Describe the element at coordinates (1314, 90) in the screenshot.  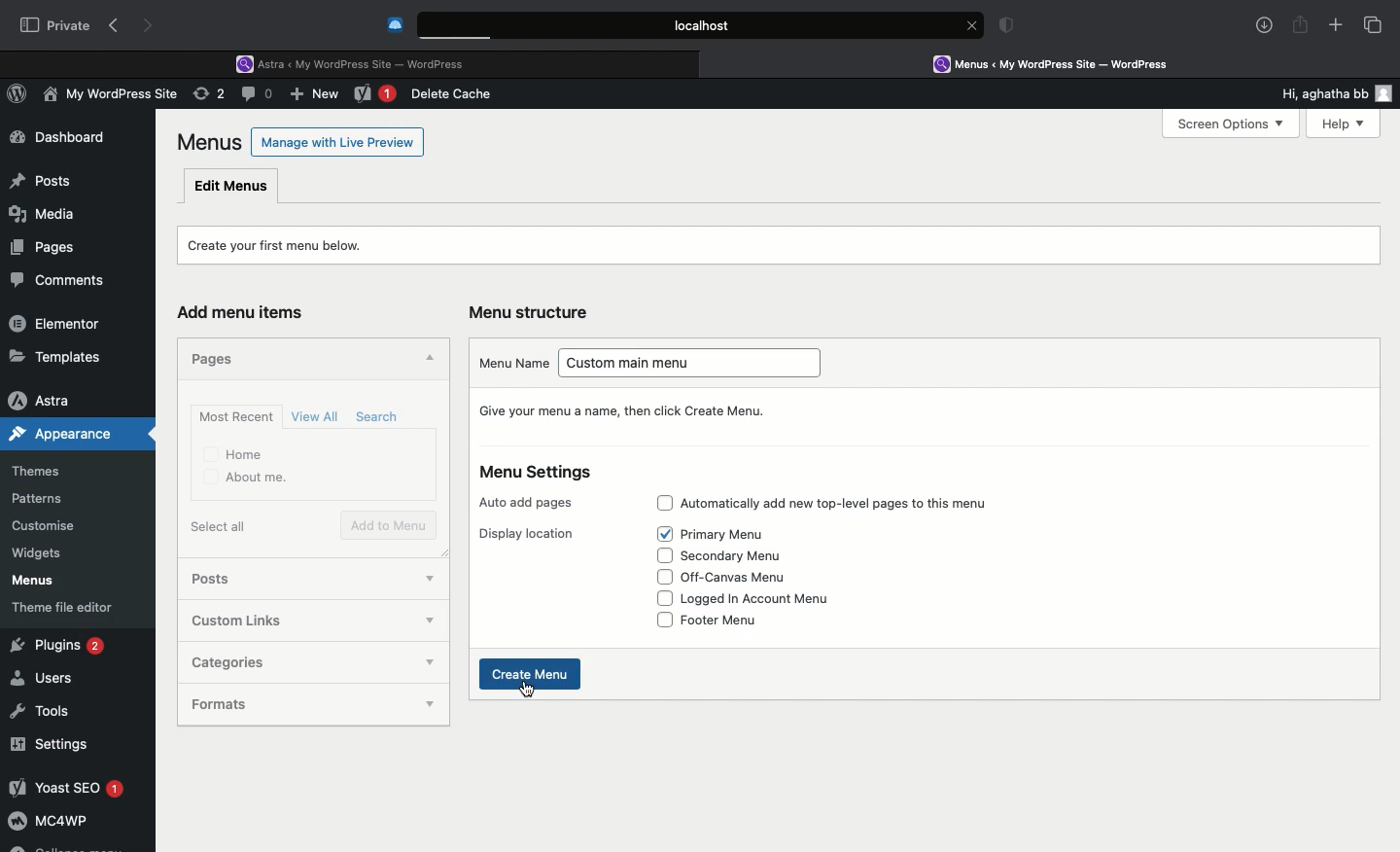
I see `Hi, aghatha bb` at that location.